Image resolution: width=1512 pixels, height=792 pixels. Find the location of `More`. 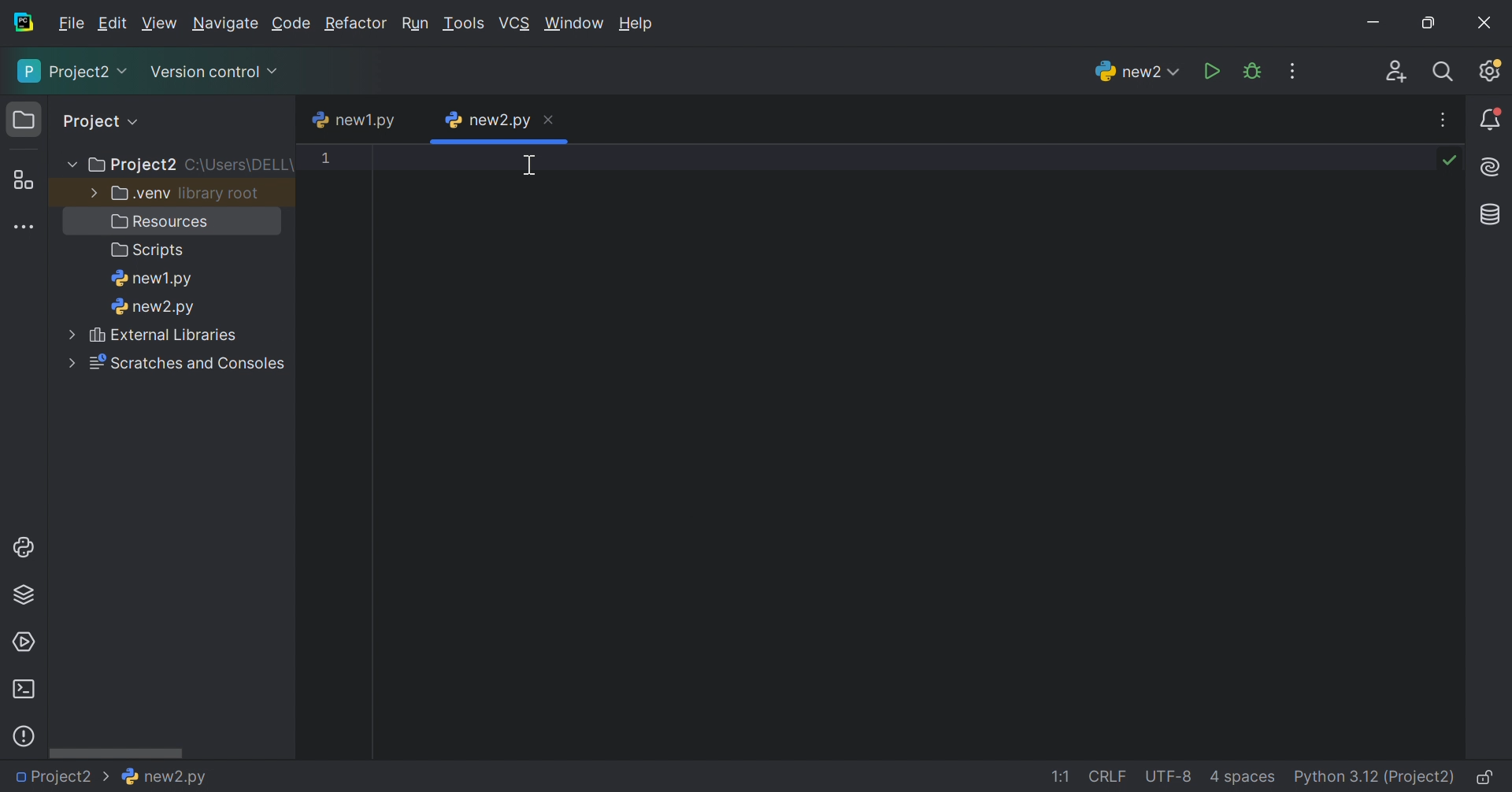

More is located at coordinates (67, 335).